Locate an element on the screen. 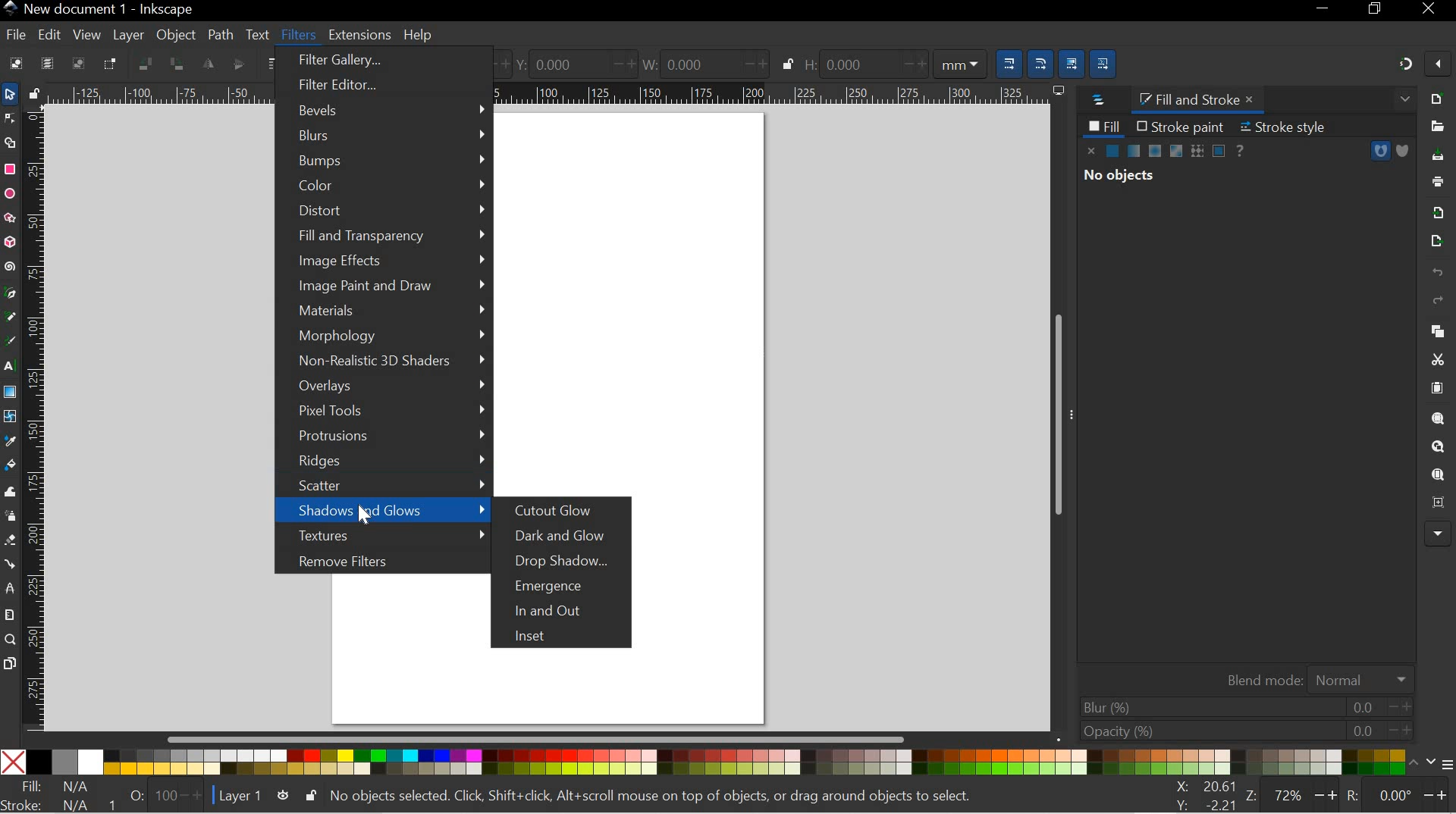 Image resolution: width=1456 pixels, height=814 pixels. rotation is located at coordinates (1396, 794).